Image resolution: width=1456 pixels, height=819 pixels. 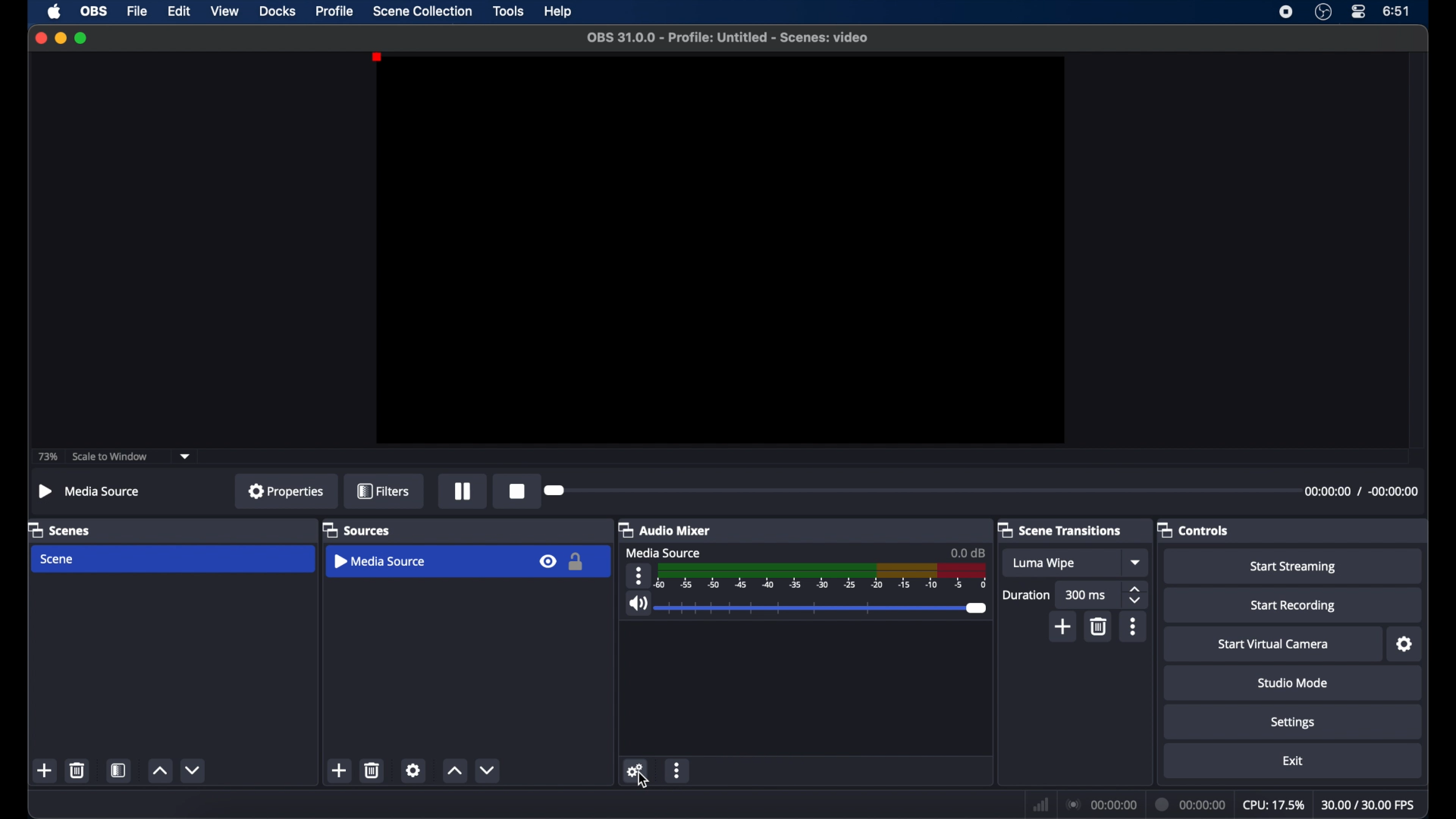 What do you see at coordinates (60, 37) in the screenshot?
I see `minimize` at bounding box center [60, 37].